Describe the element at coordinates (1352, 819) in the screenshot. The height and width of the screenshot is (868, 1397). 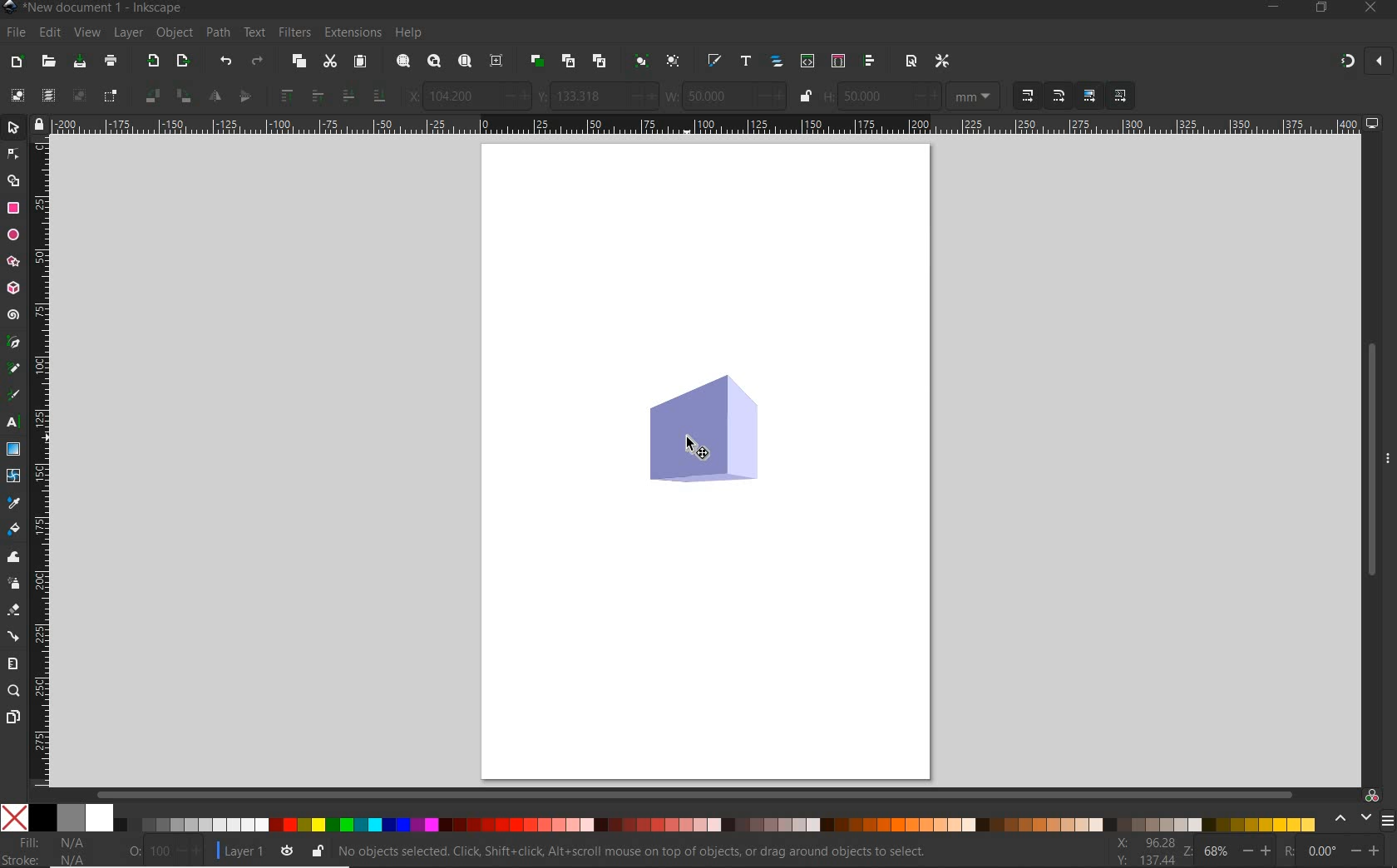
I see `scroll color options` at that location.